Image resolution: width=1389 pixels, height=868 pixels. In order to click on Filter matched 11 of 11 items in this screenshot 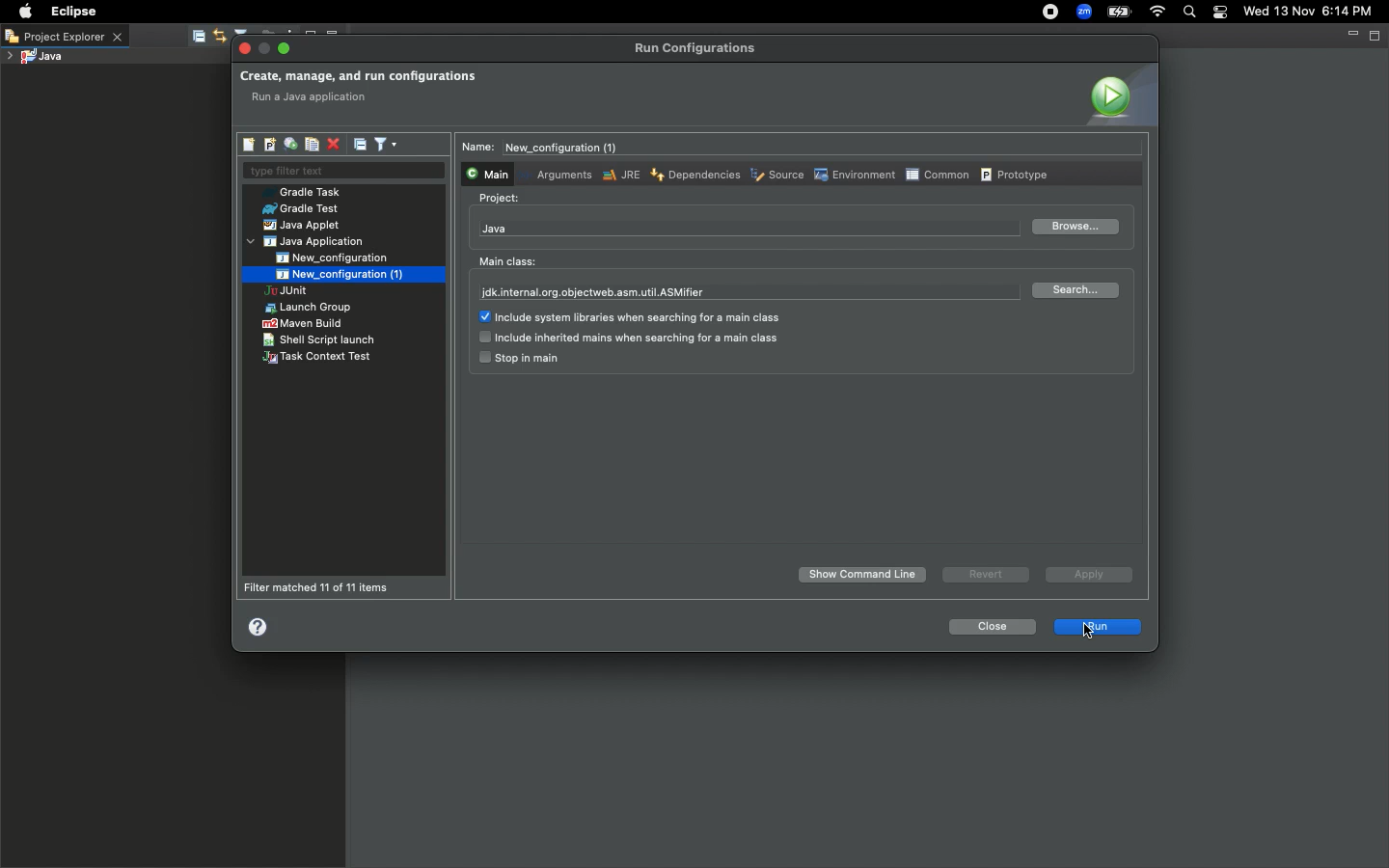, I will do `click(322, 587)`.